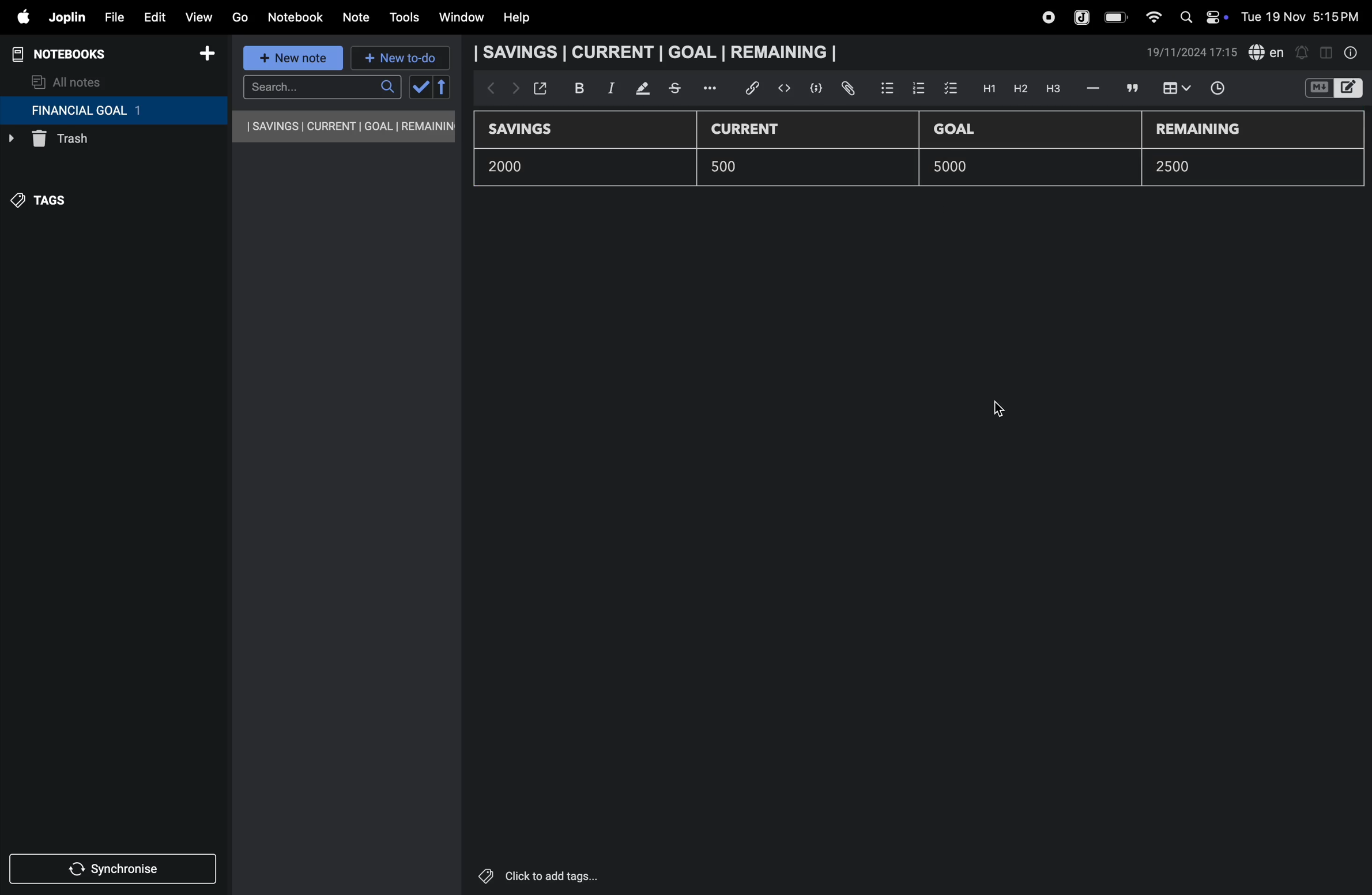 This screenshot has height=895, width=1372. I want to click on check box, so click(951, 89).